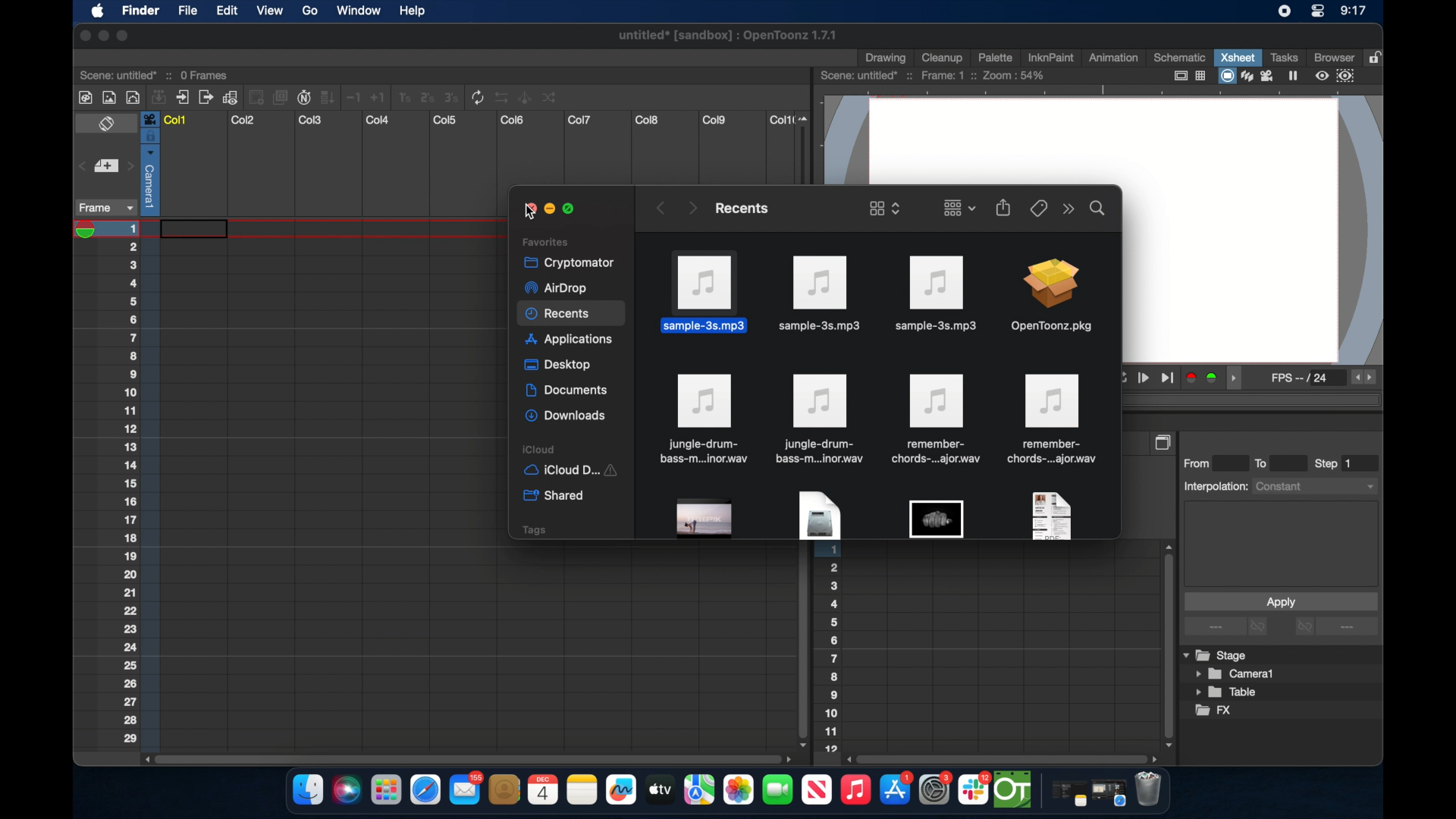  What do you see at coordinates (1148, 378) in the screenshot?
I see `playback controls` at bounding box center [1148, 378].